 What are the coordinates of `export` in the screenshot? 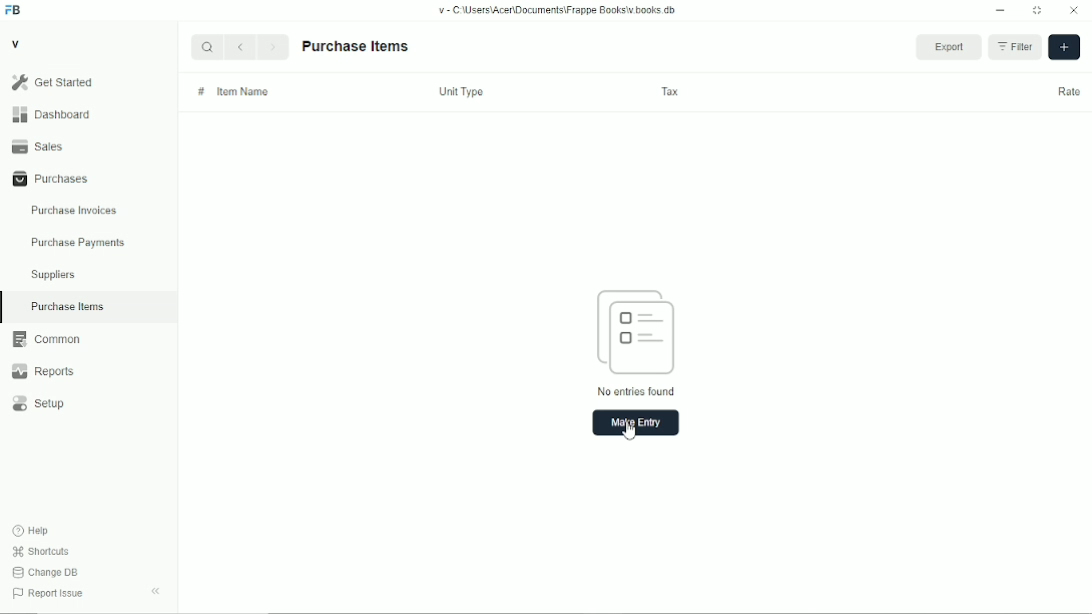 It's located at (950, 47).